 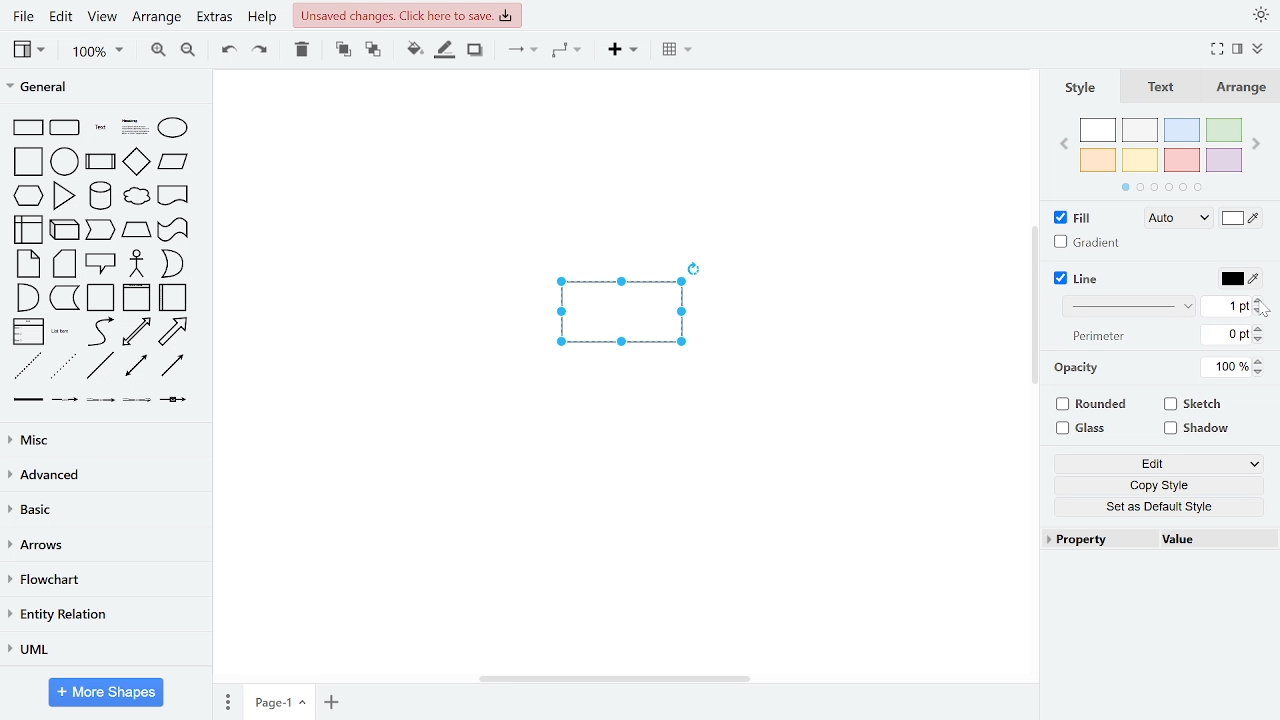 I want to click on full view, so click(x=1217, y=50).